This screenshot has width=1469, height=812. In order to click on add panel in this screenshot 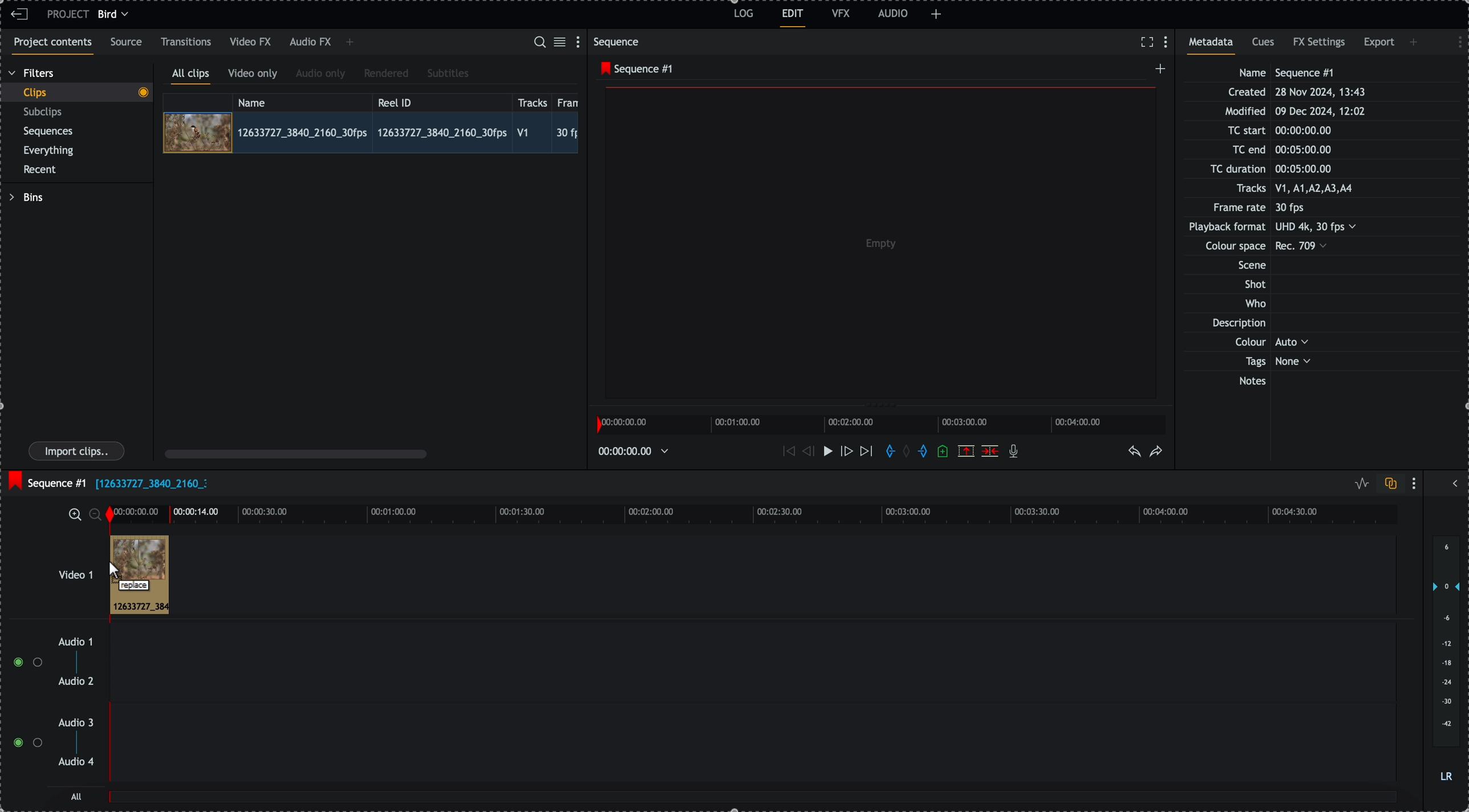, I will do `click(350, 43)`.